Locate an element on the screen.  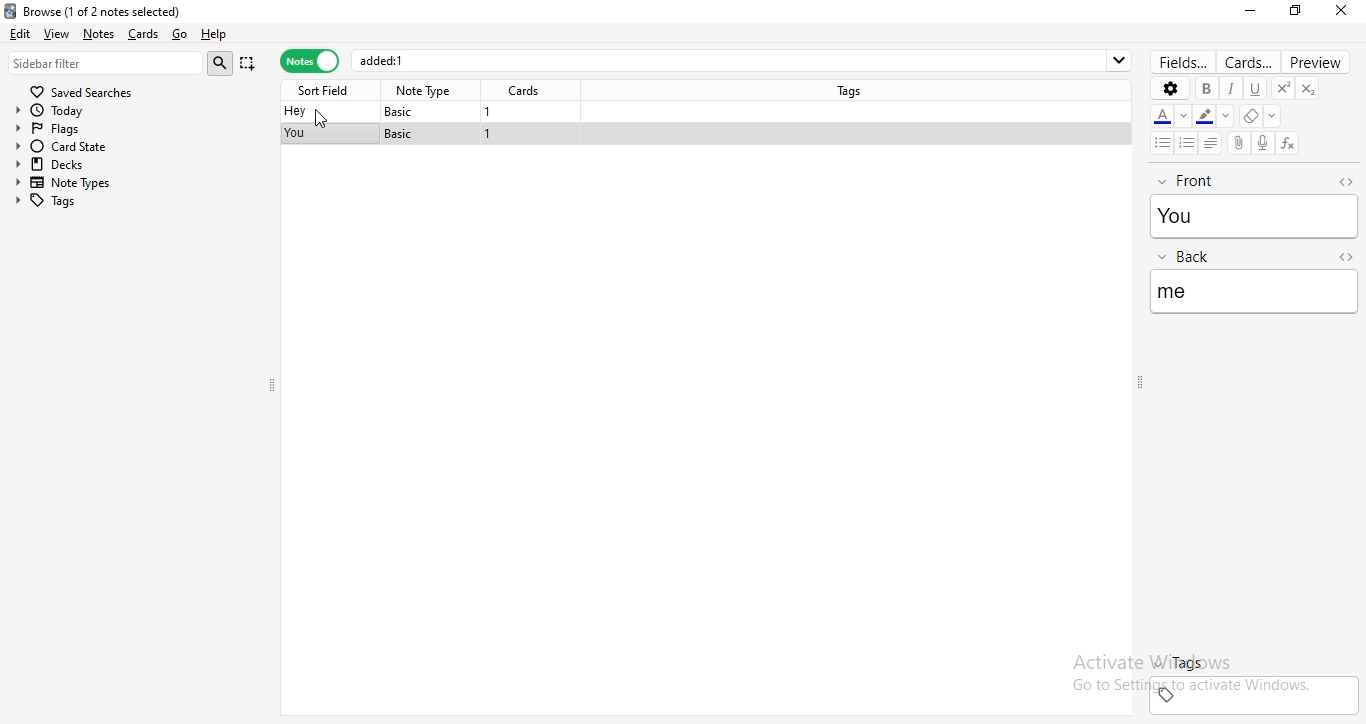
adjust is located at coordinates (1143, 382).